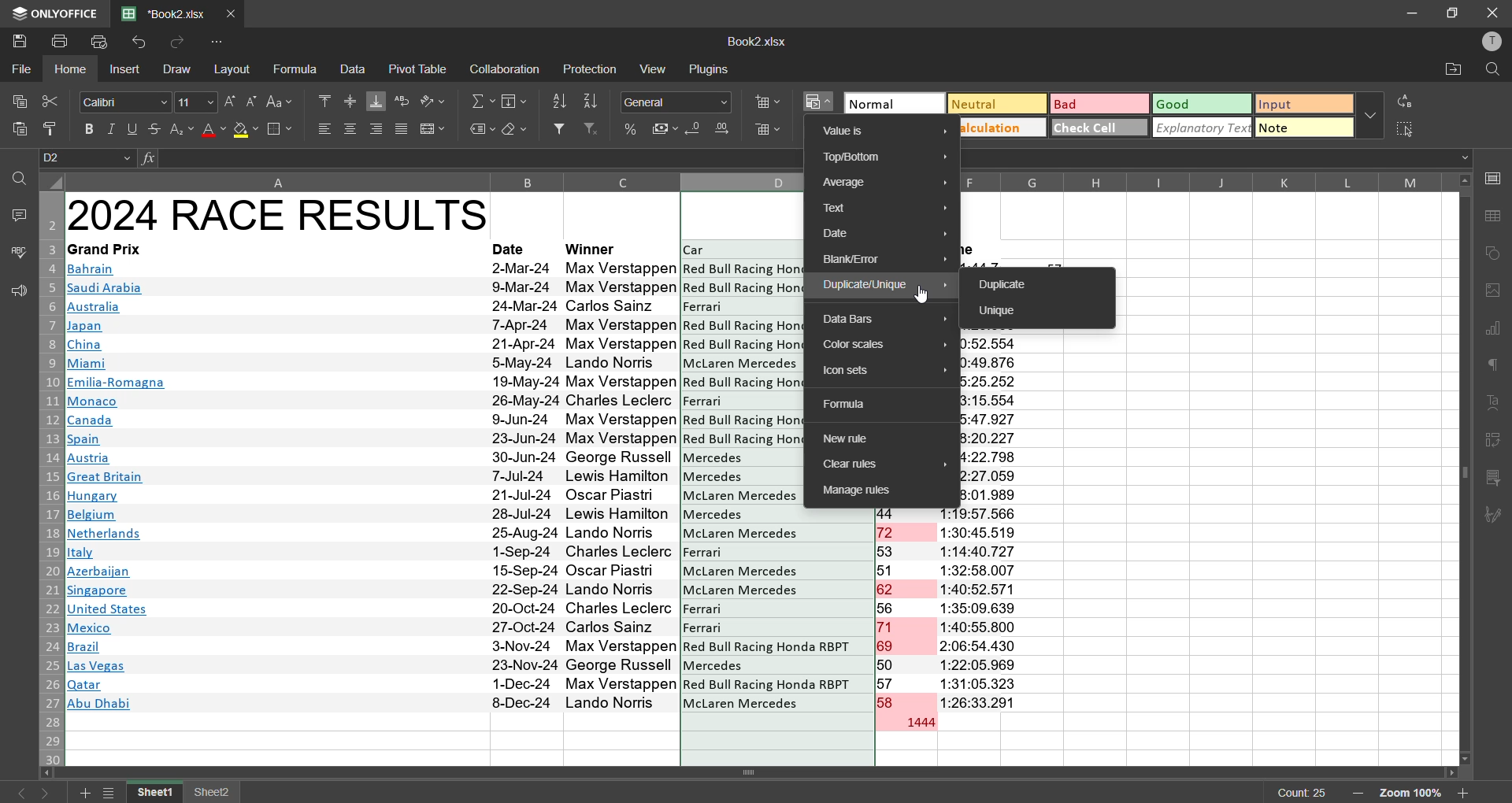 This screenshot has width=1512, height=803. I want to click on increment size, so click(230, 102).